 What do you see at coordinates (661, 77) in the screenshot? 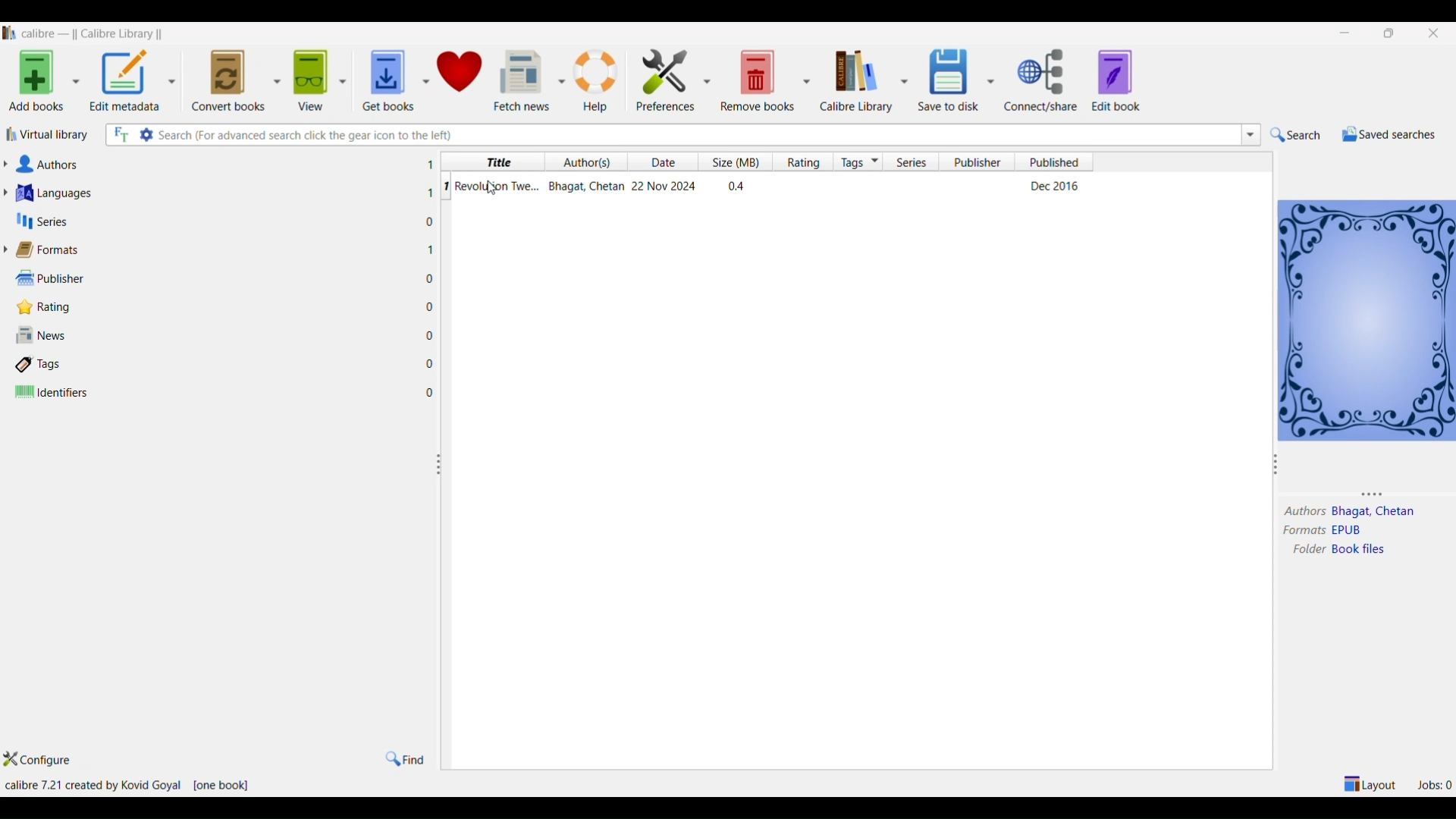
I see `preferences` at bounding box center [661, 77].